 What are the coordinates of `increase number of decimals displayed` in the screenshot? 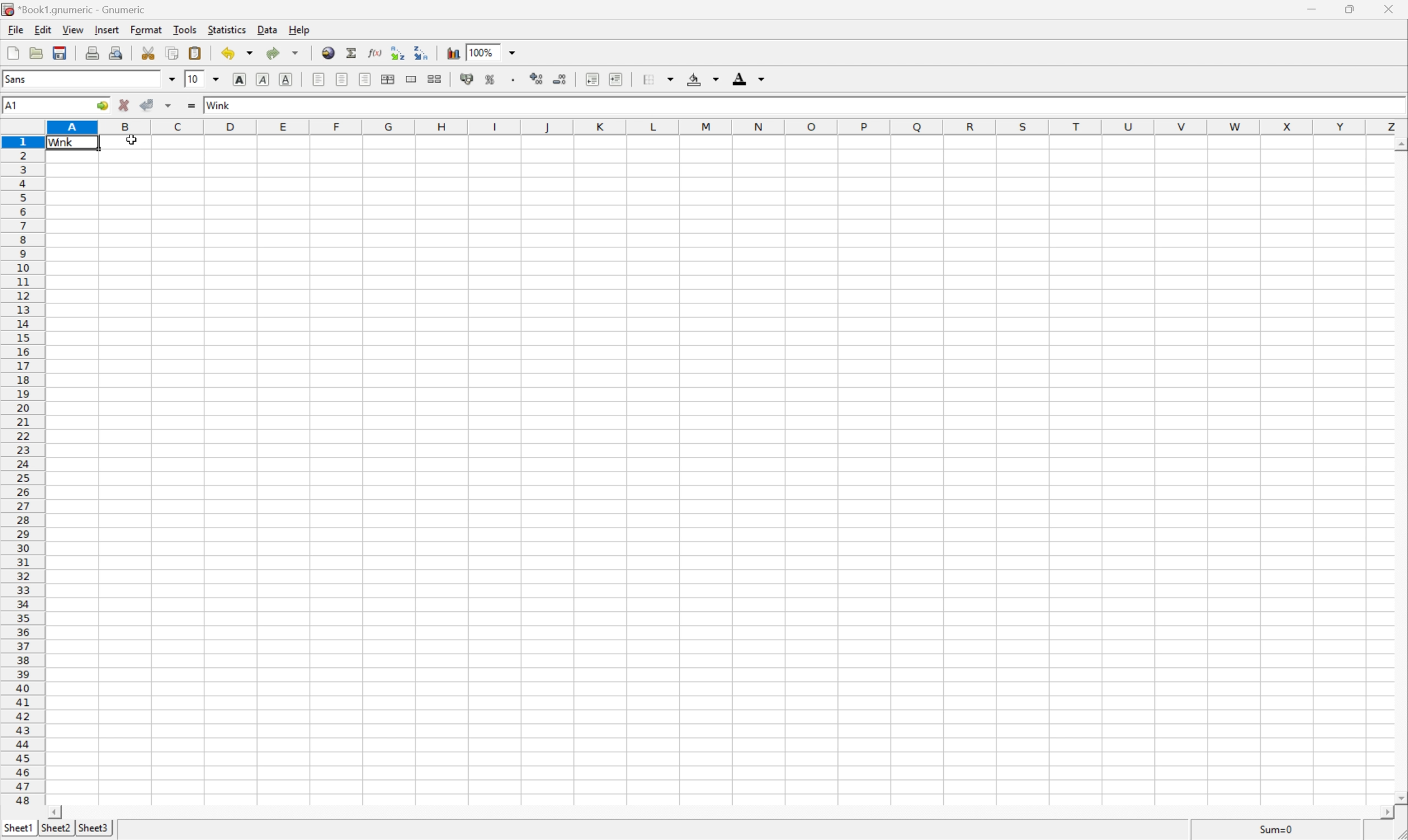 It's located at (533, 79).